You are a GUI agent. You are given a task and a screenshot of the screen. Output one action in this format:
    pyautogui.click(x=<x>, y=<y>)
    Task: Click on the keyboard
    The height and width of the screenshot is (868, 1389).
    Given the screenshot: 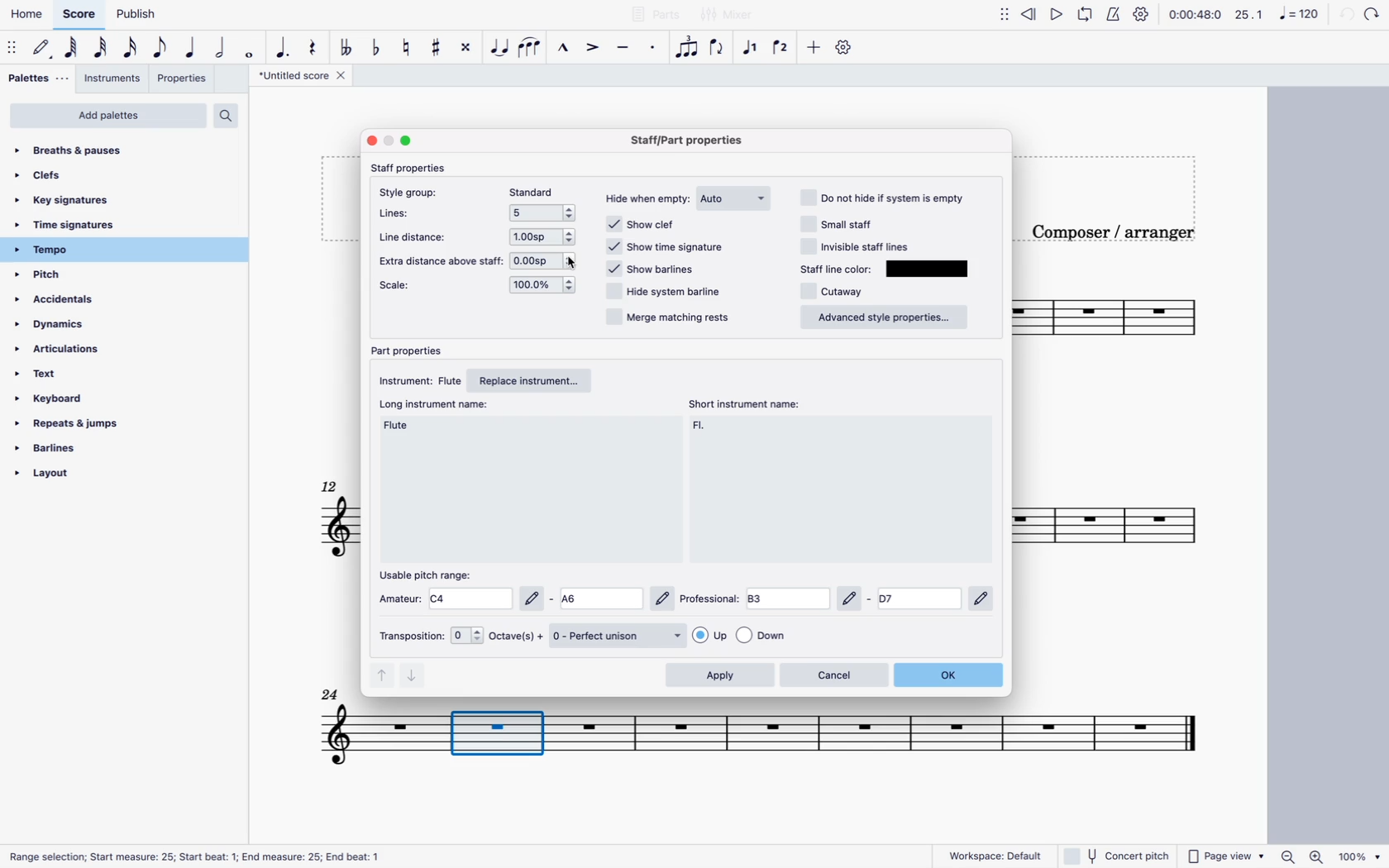 What is the action you would take?
    pyautogui.click(x=61, y=398)
    